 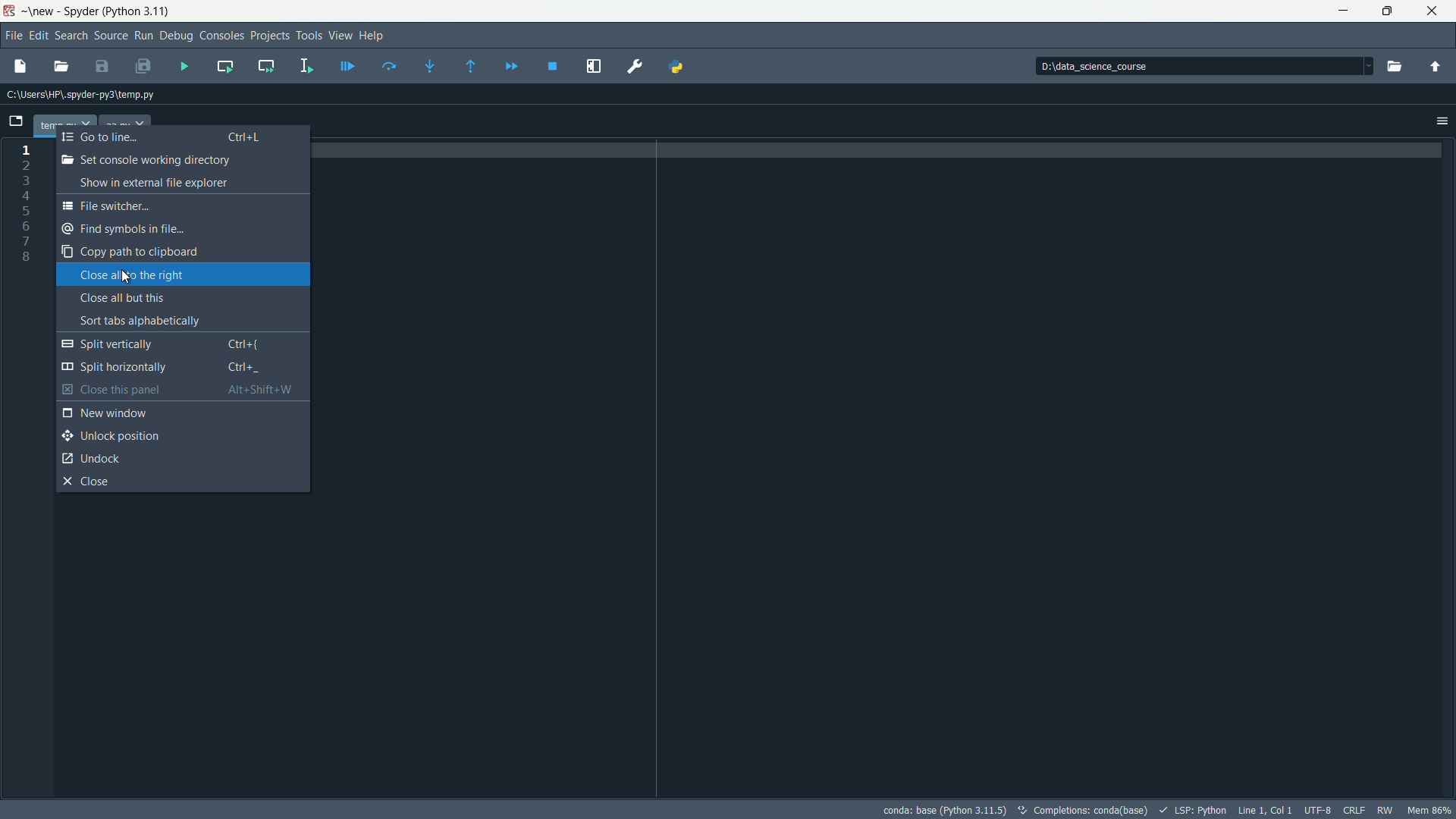 What do you see at coordinates (1355, 810) in the screenshot?
I see `file eol status` at bounding box center [1355, 810].